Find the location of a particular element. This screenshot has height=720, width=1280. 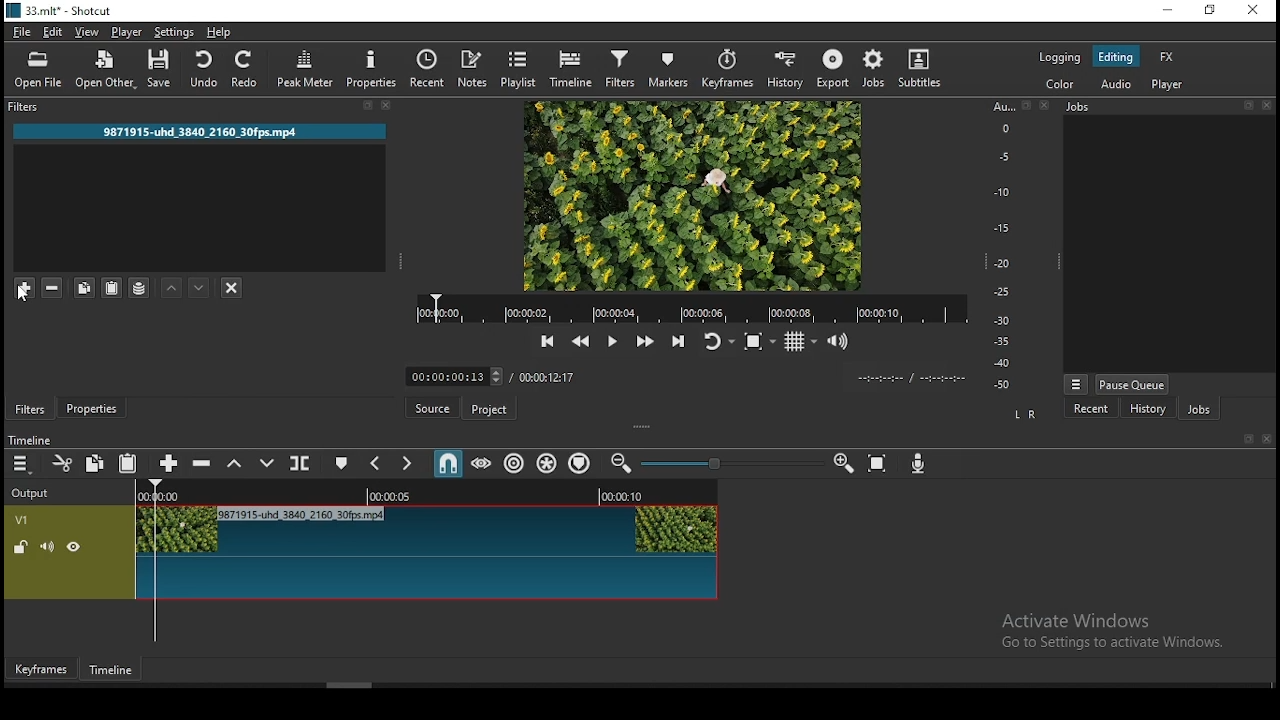

 is located at coordinates (1078, 106).